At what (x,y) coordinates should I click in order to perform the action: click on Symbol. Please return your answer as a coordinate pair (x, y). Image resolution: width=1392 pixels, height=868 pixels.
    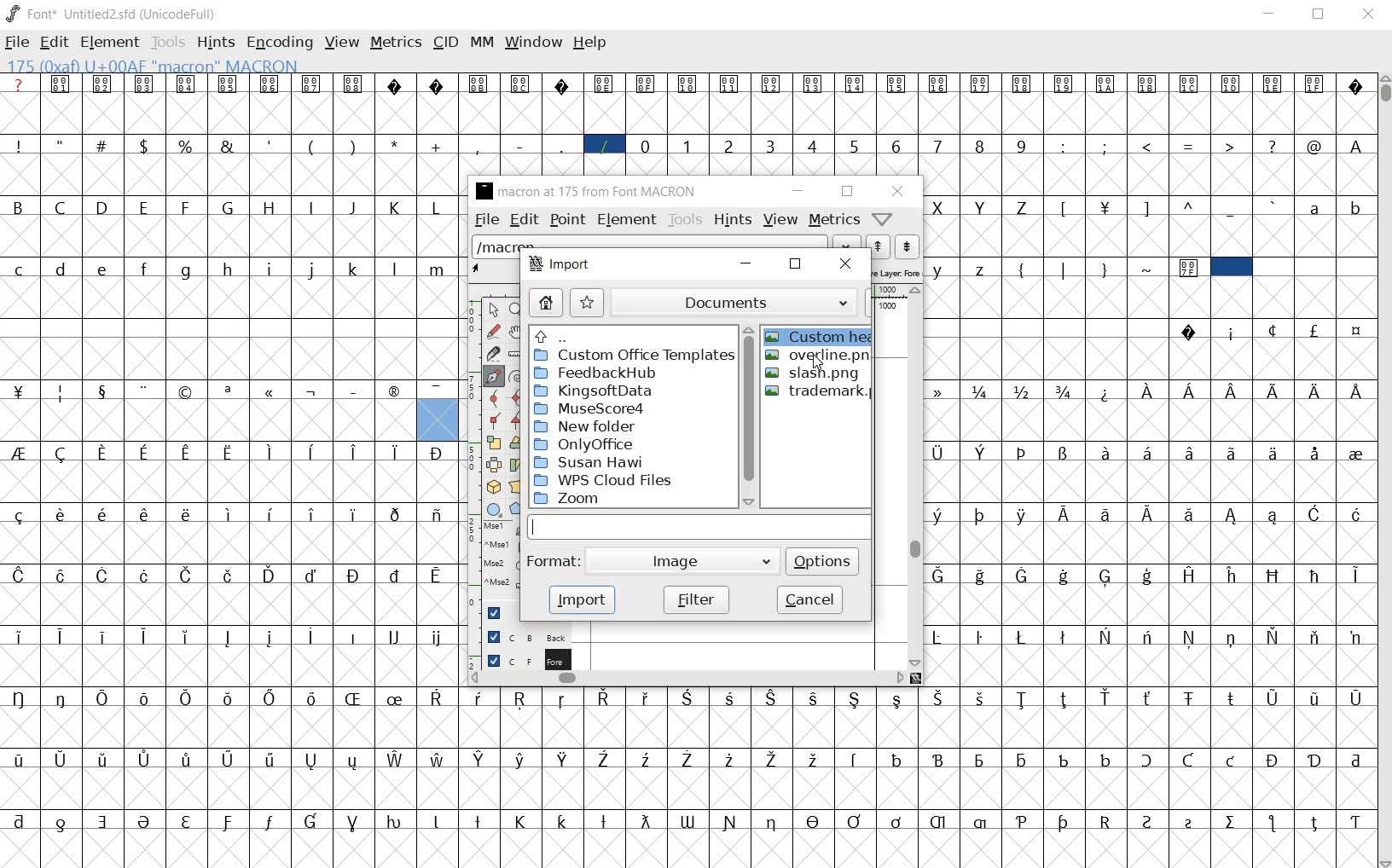
    Looking at the image, I should click on (63, 635).